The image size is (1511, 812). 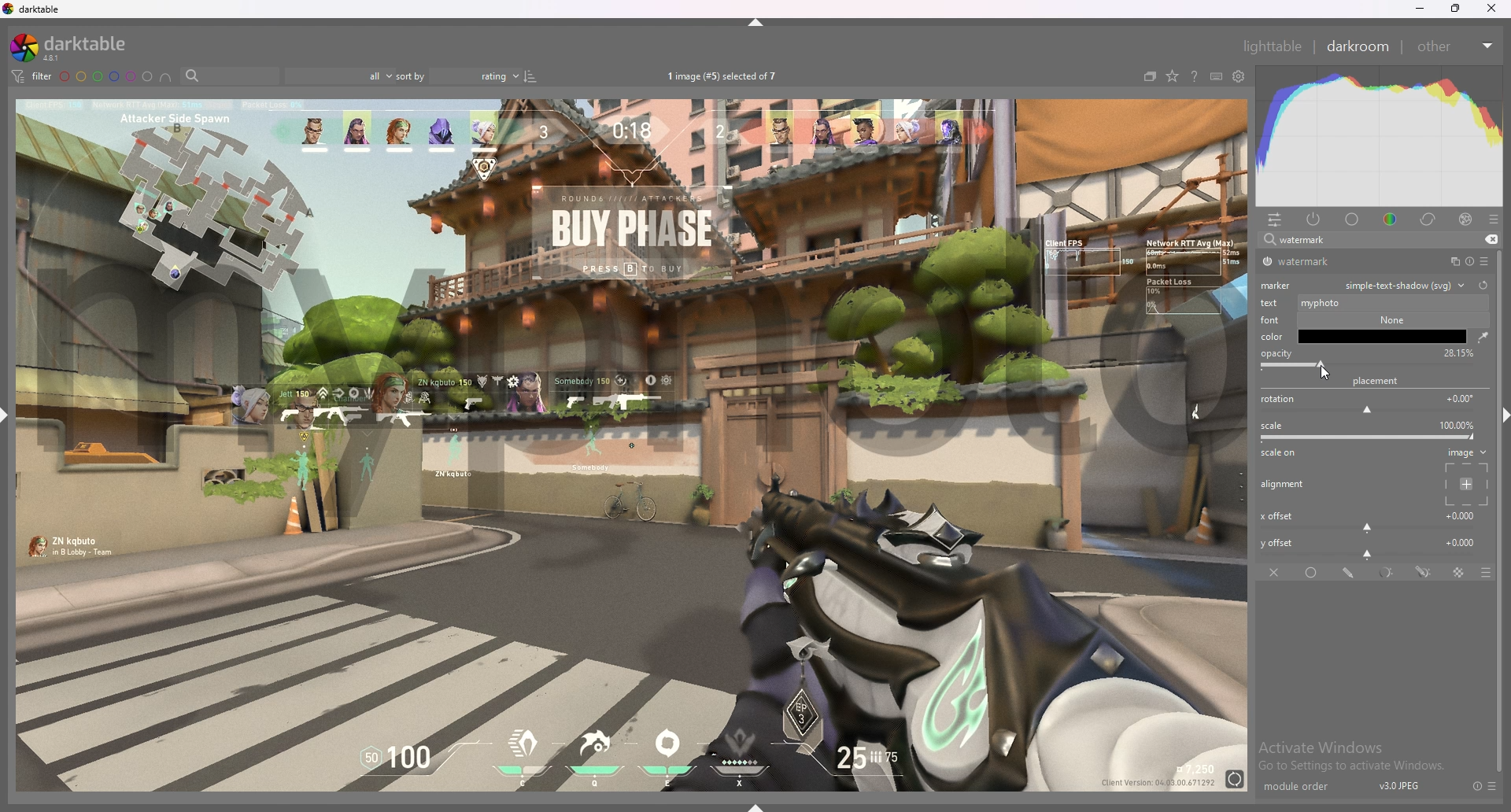 What do you see at coordinates (1385, 301) in the screenshot?
I see `fixed size text svg` at bounding box center [1385, 301].